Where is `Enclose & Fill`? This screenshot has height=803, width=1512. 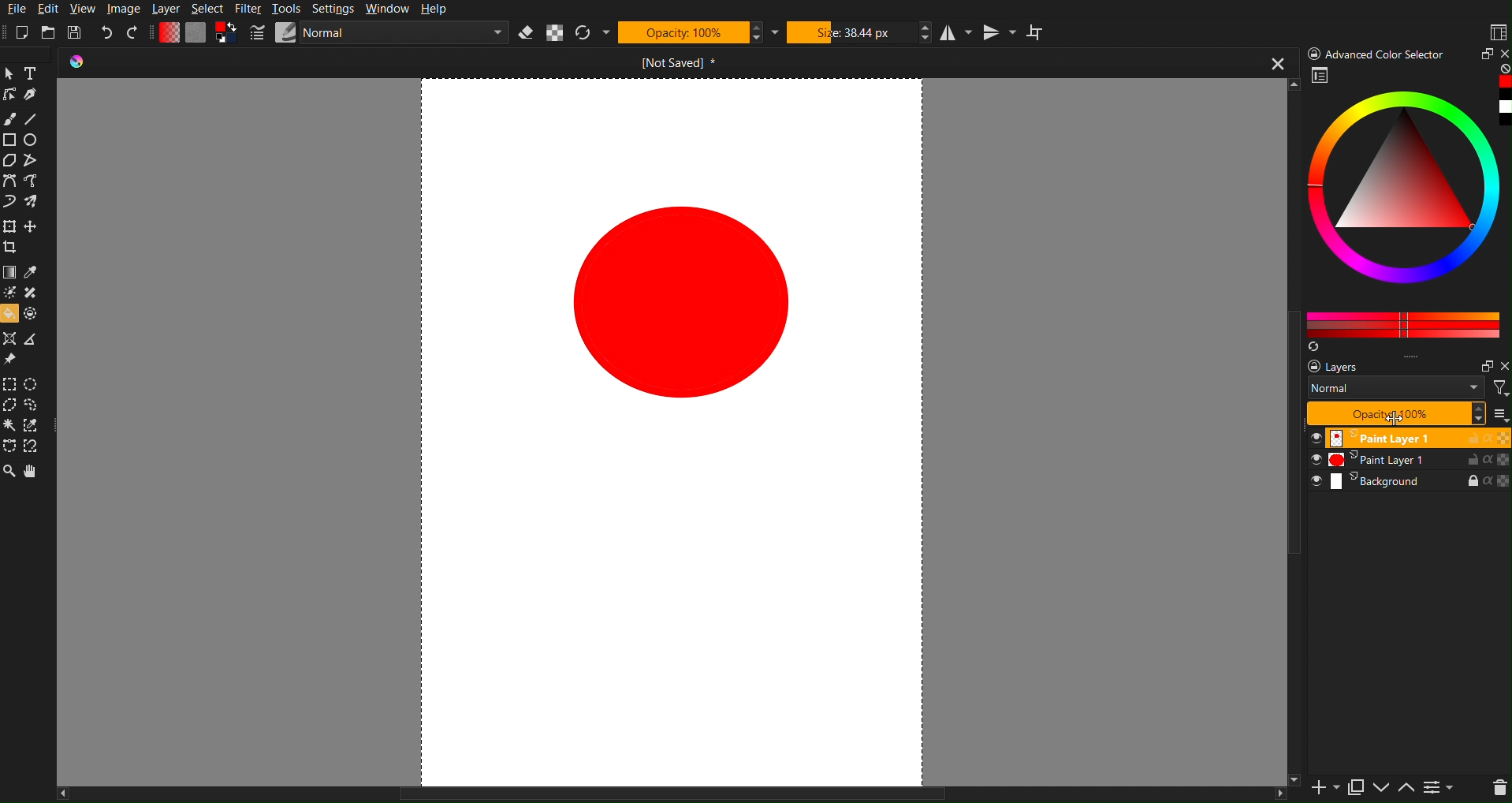 Enclose & Fill is located at coordinates (32, 314).